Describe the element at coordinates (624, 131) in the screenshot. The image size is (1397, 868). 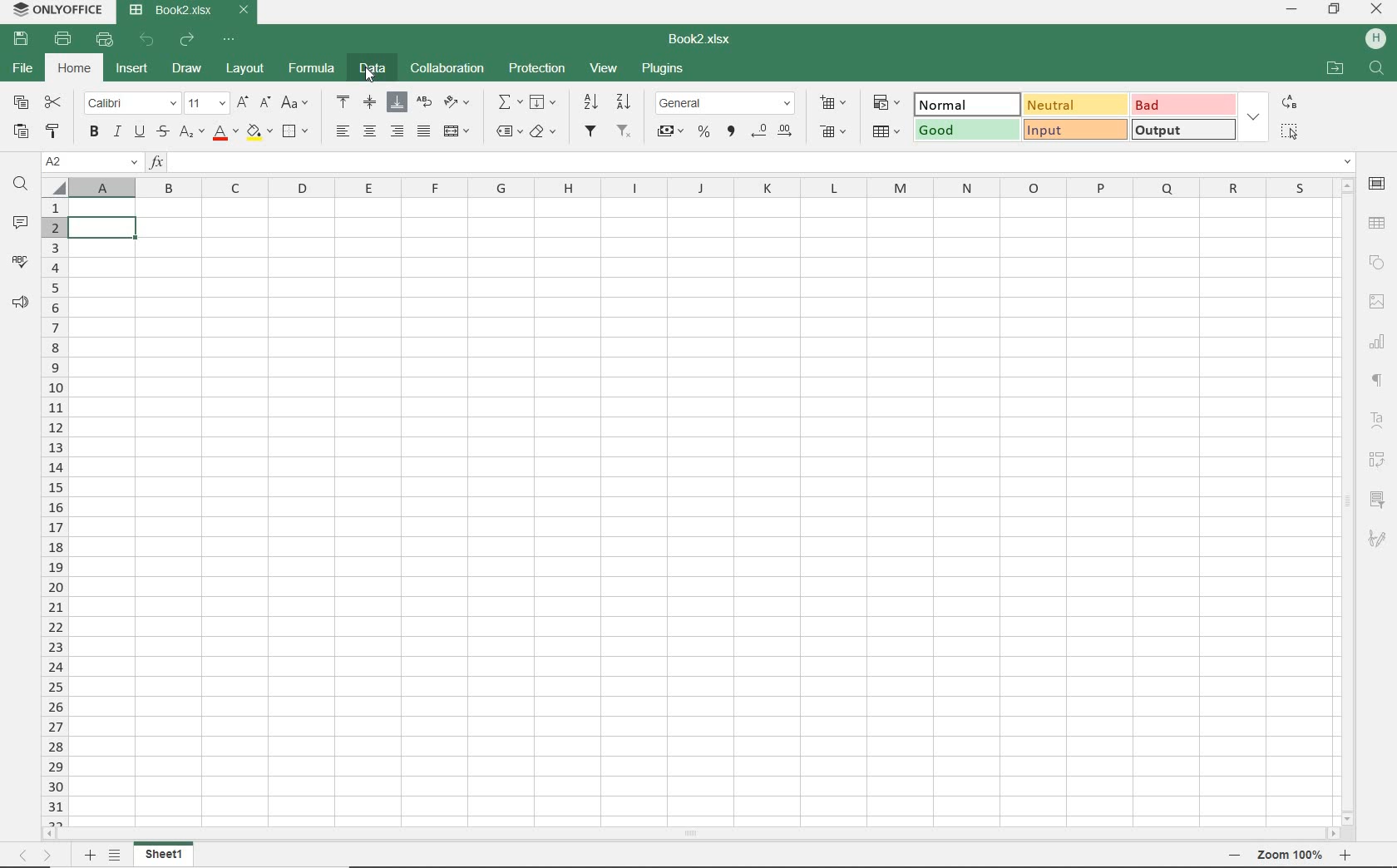
I see `REMOVE FILTER` at that location.